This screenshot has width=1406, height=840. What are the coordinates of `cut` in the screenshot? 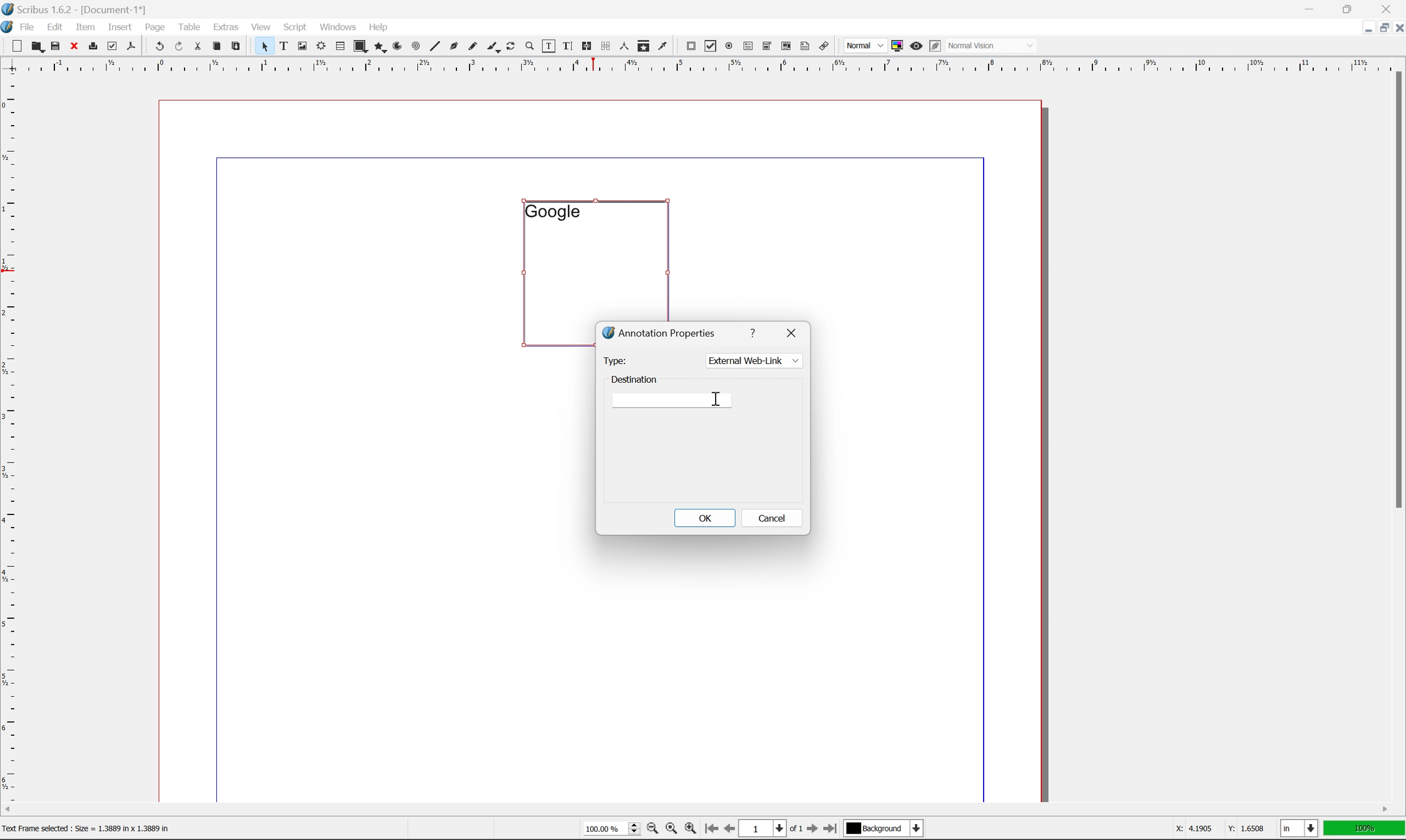 It's located at (198, 46).